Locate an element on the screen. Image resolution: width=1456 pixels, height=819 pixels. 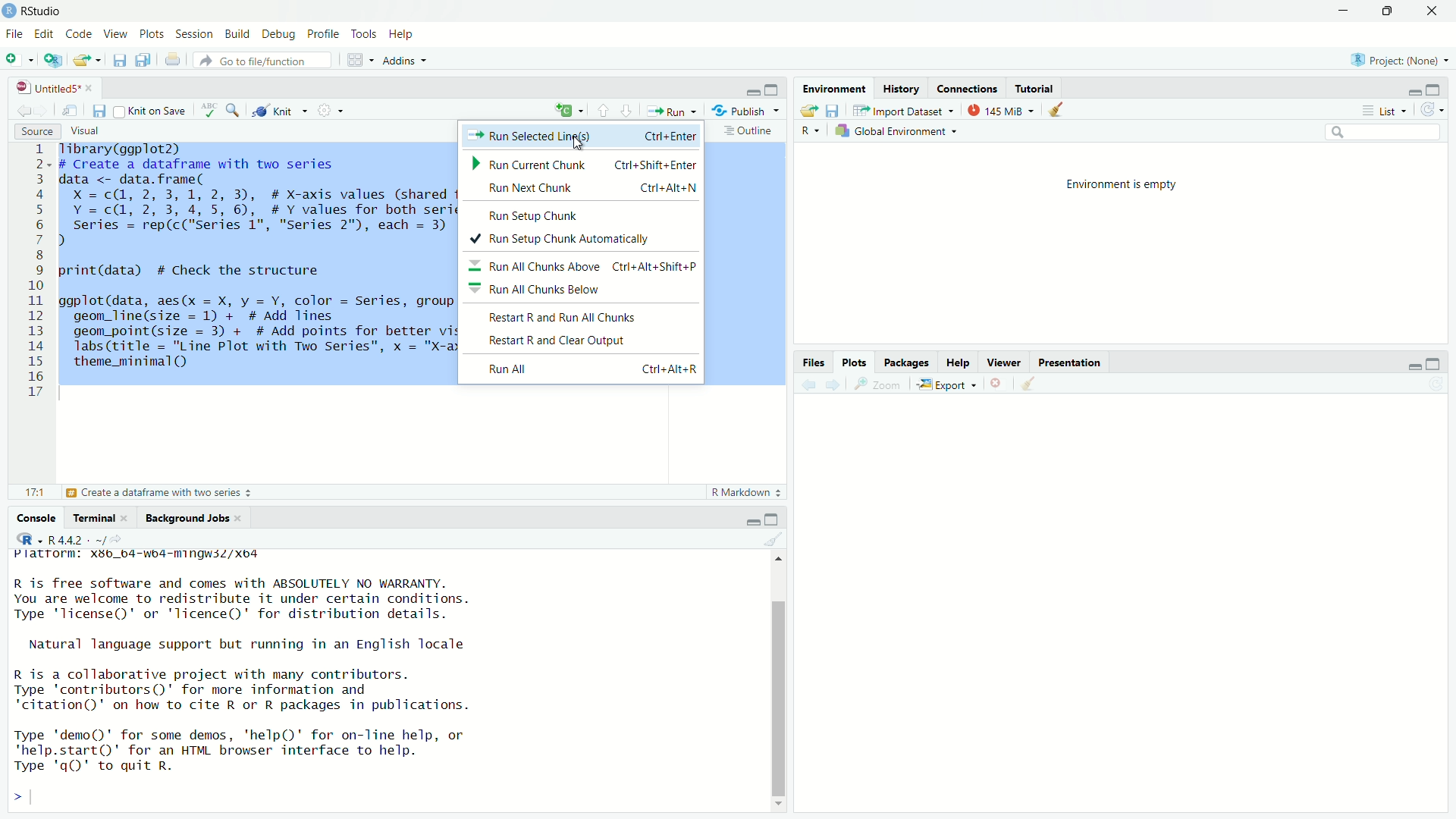
Platform.xbb_b4 "" R is free software and comes with ABSOLUTELY NO WARRANTY.You are welcome to redistribute it under certain conditions.Type "license" or 'licence()' for distribution details.Natural language support but running in an English localeR is a collaborative project with many contributors.Type 'contributors()' for more information and"citation()" on how to cite R or R packages in publications.Type "demo()' for some demos, 'help()' for on-line help, or quit R is located at coordinates (262, 661).